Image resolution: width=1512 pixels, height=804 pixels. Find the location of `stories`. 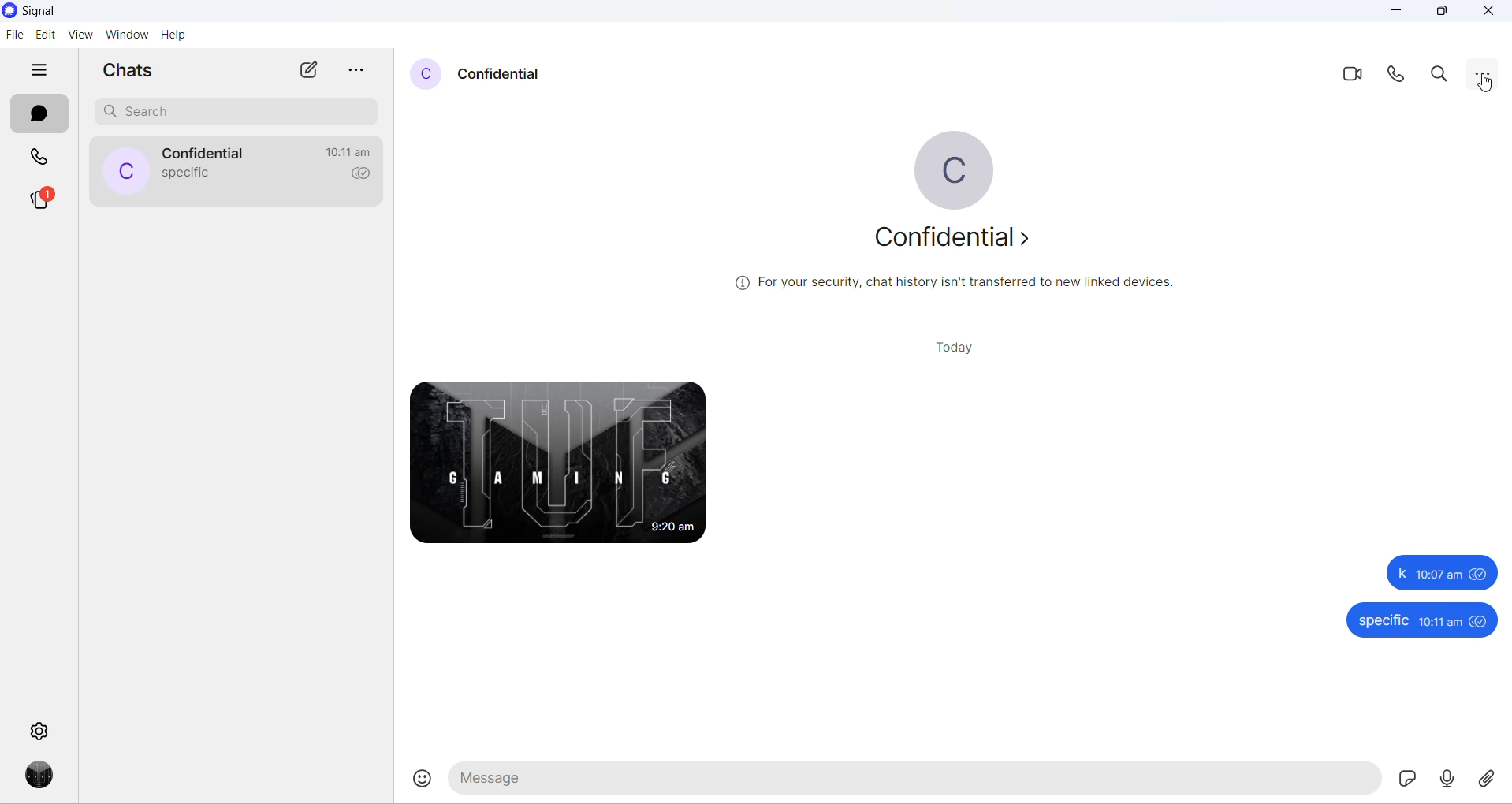

stories is located at coordinates (42, 204).